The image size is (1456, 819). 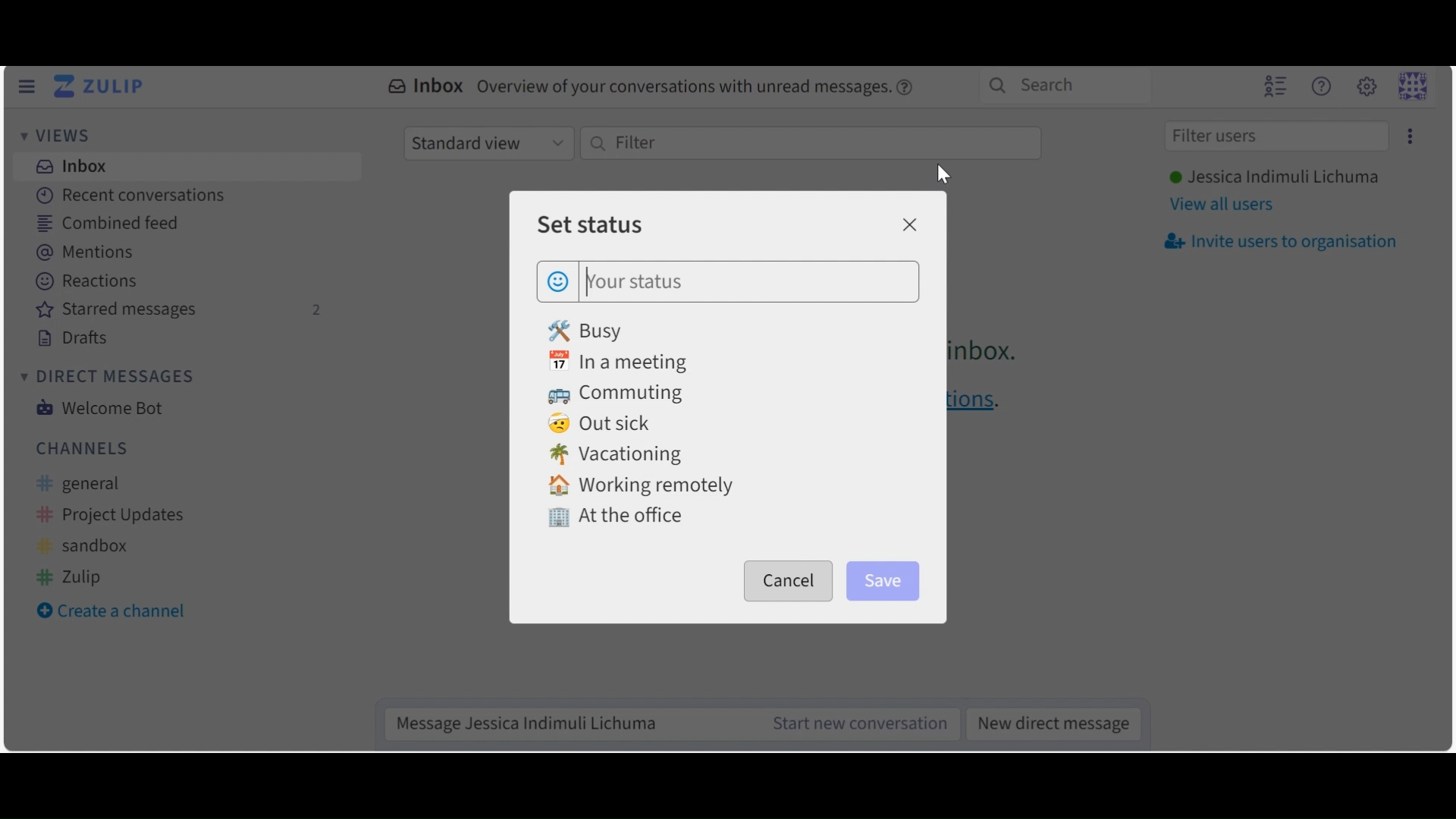 What do you see at coordinates (488, 143) in the screenshot?
I see `Standard user` at bounding box center [488, 143].